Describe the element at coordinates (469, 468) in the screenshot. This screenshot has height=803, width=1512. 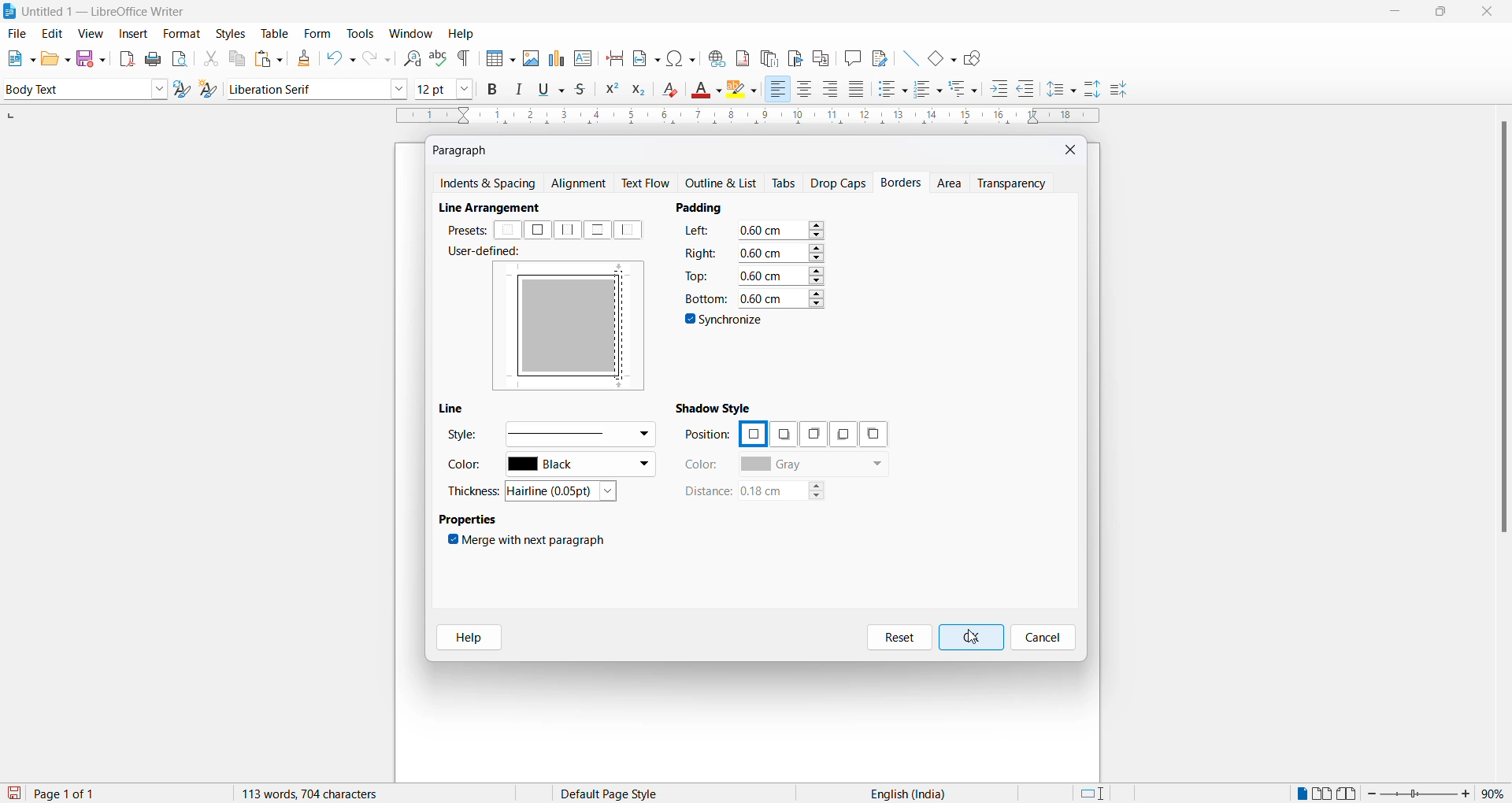
I see `color` at that location.